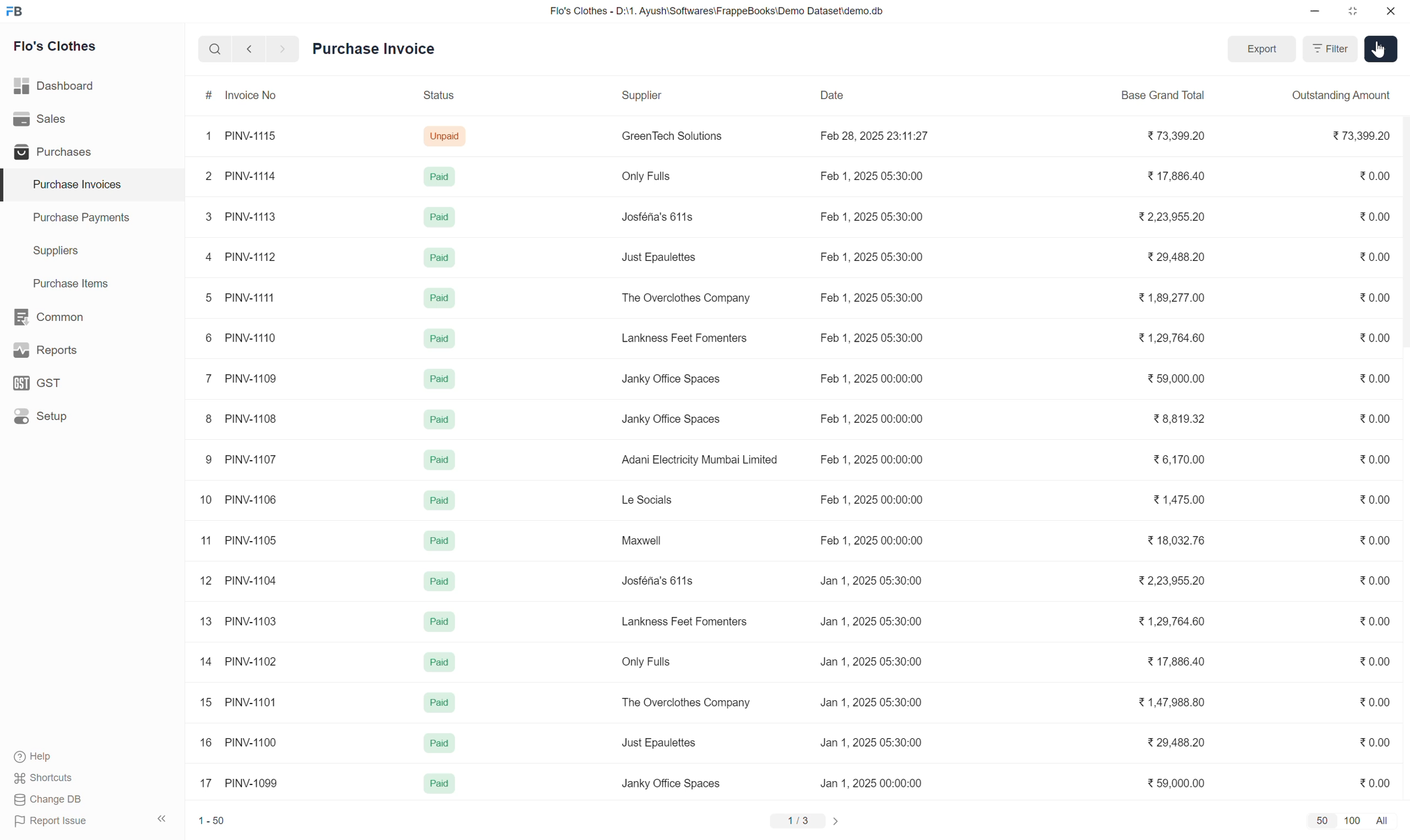 The image size is (1410, 840). What do you see at coordinates (435, 501) in the screenshot?
I see `Paid` at bounding box center [435, 501].